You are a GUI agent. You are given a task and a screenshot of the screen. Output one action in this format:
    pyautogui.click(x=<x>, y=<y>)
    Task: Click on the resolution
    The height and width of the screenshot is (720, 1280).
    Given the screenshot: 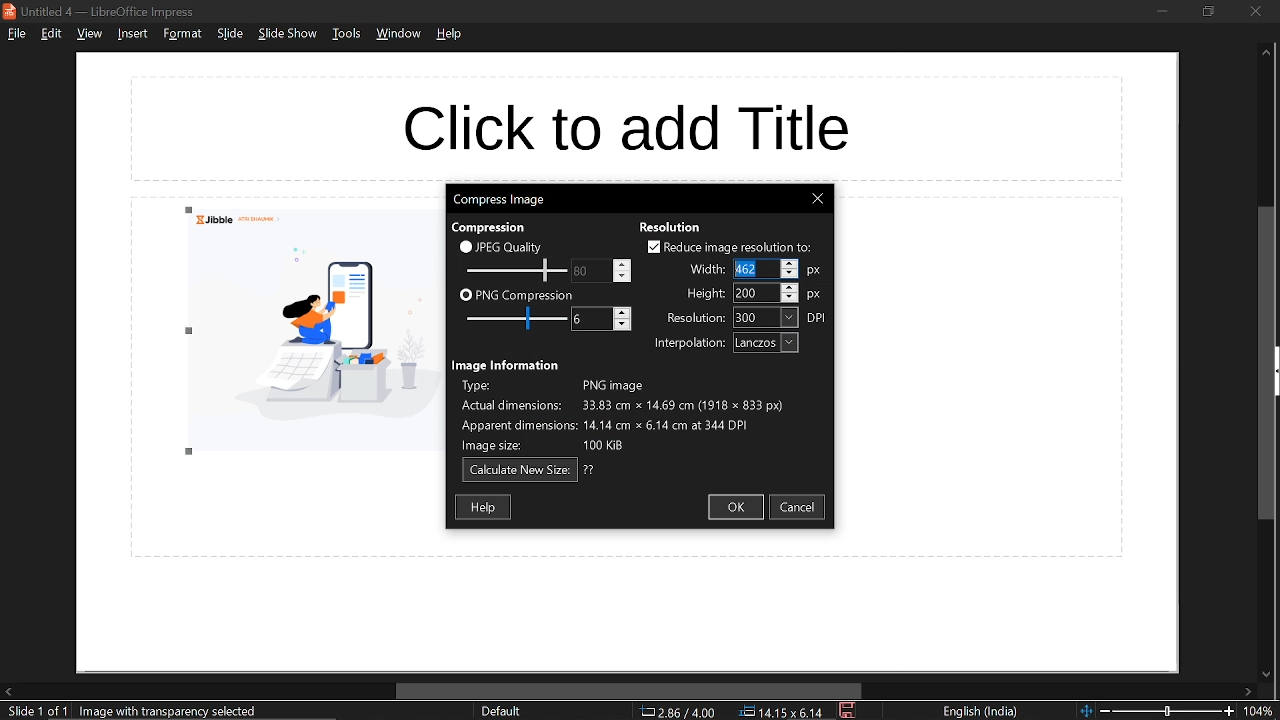 What is the action you would take?
    pyautogui.click(x=766, y=318)
    